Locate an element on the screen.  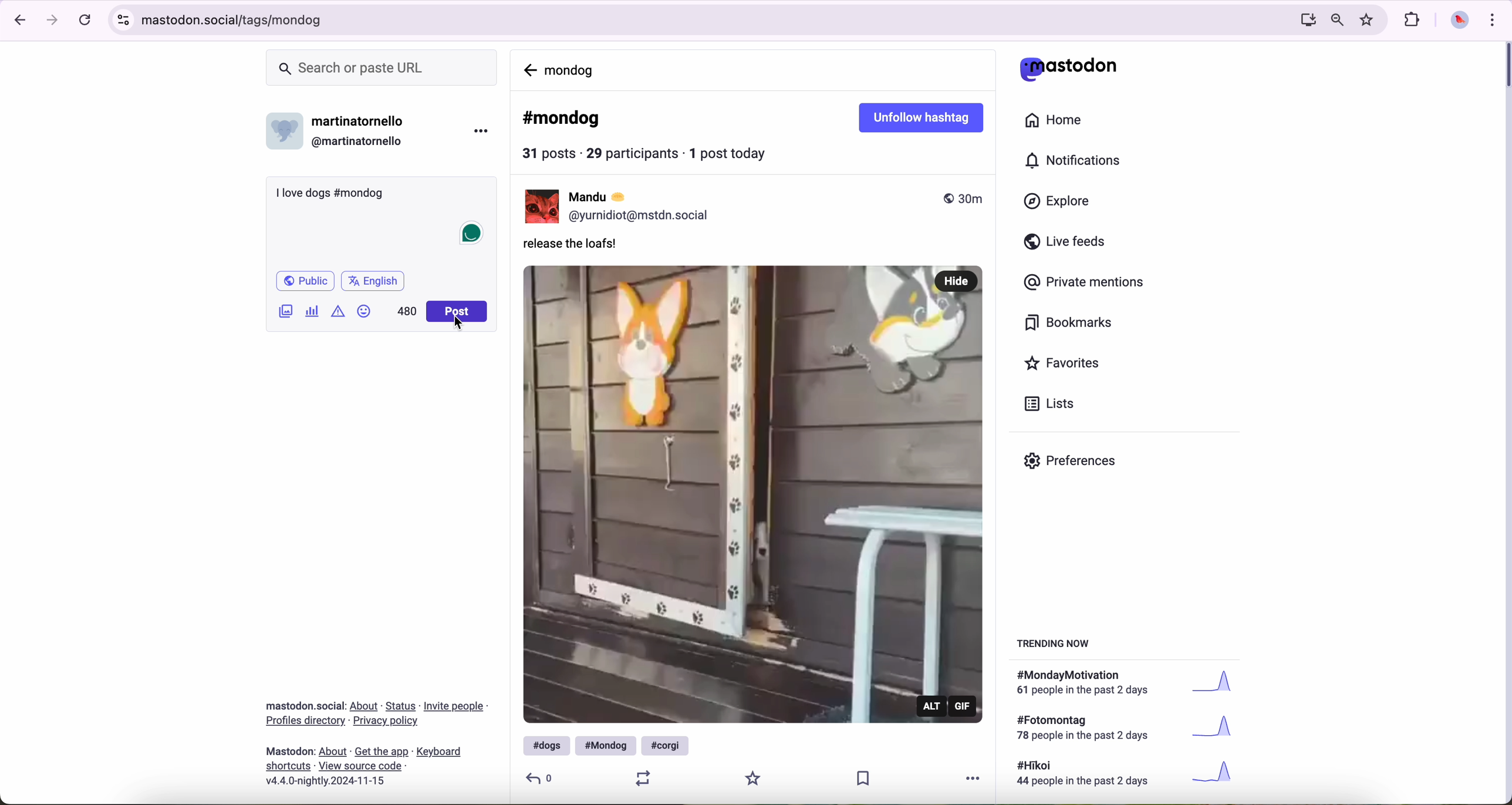
profile is located at coordinates (643, 216).